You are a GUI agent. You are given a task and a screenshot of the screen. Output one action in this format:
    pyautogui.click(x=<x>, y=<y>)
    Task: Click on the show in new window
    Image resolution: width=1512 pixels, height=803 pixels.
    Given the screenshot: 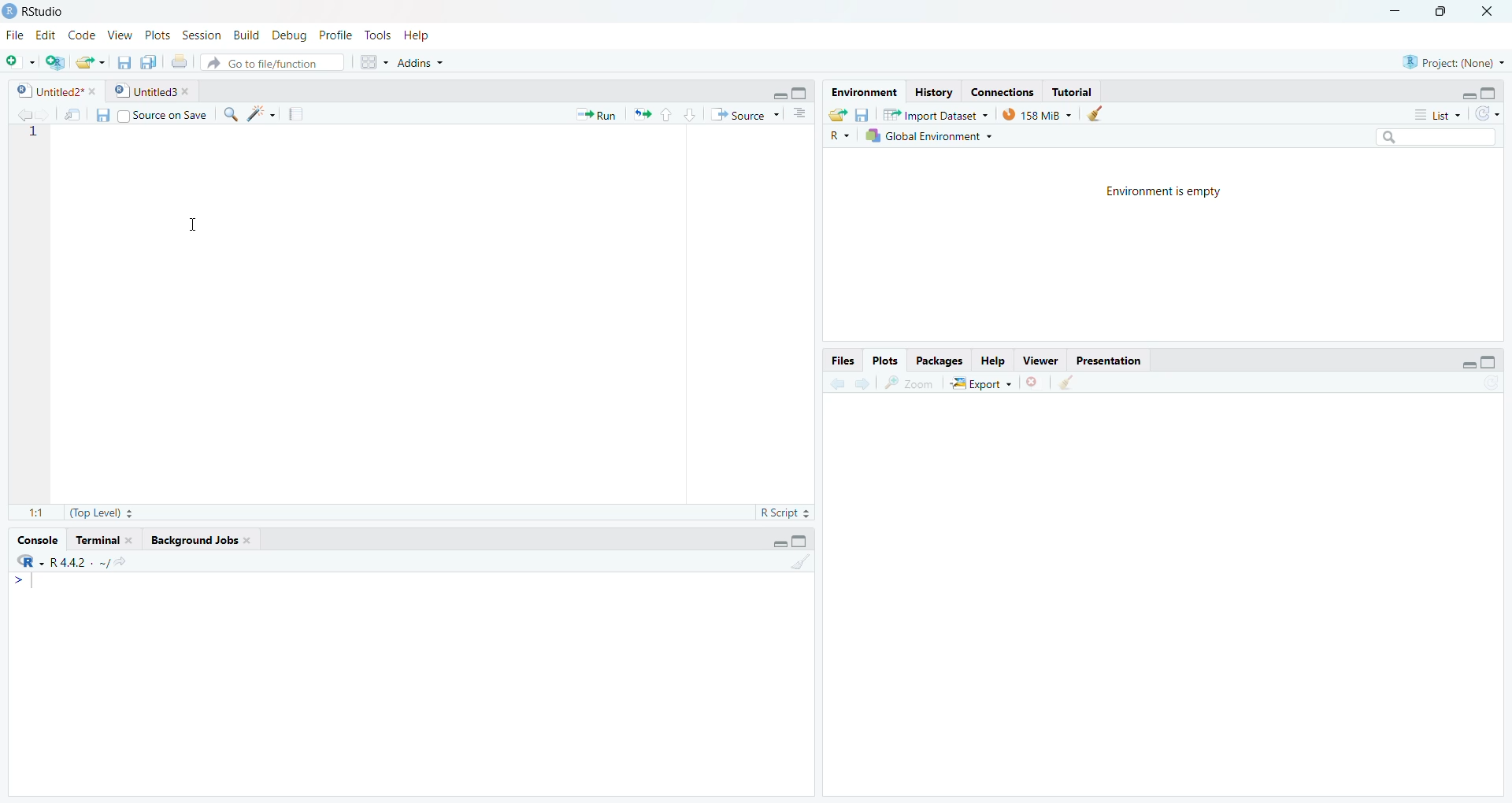 What is the action you would take?
    pyautogui.click(x=1078, y=382)
    